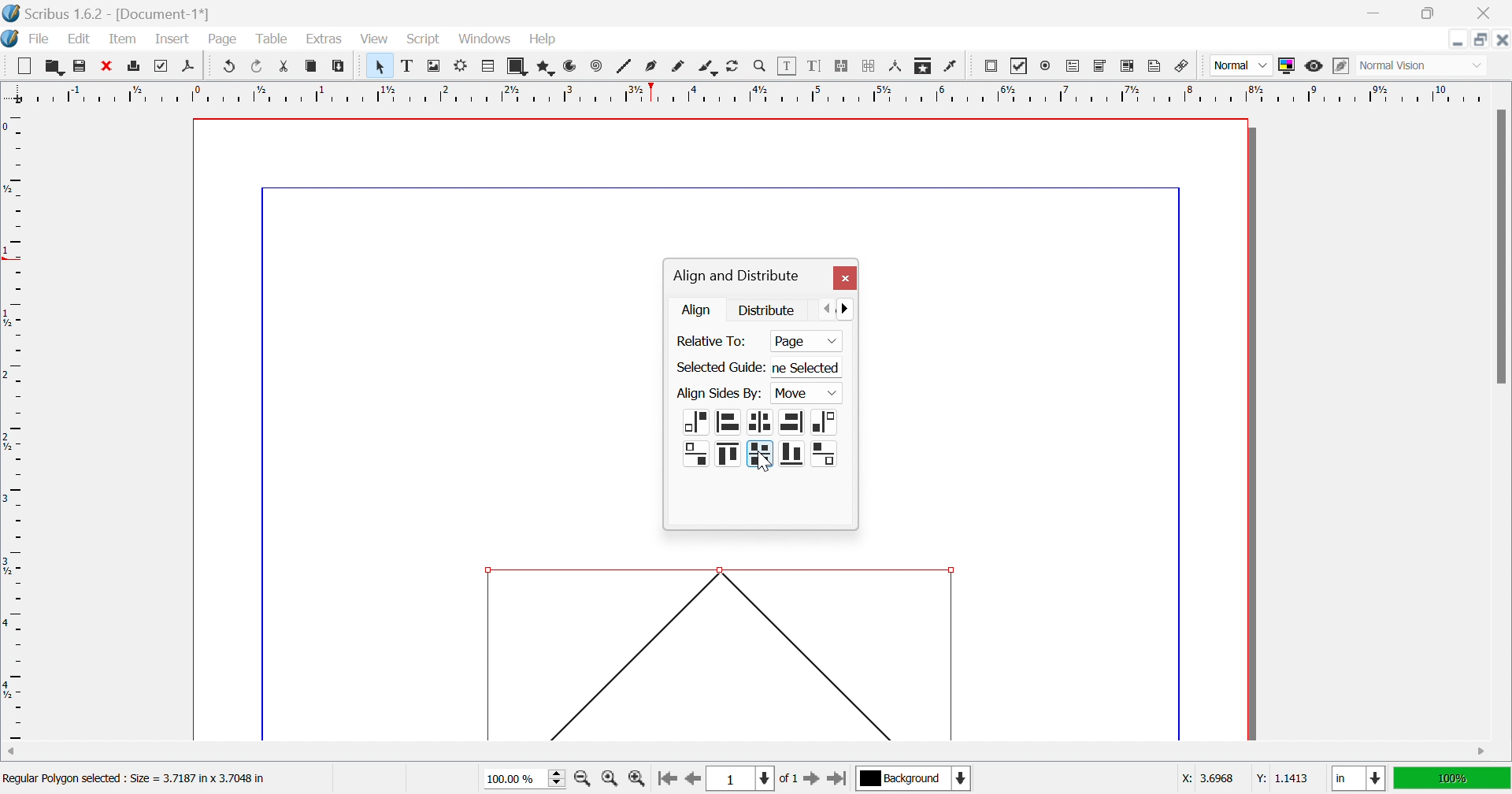 This screenshot has height=794, width=1512. I want to click on Shape, so click(520, 67).